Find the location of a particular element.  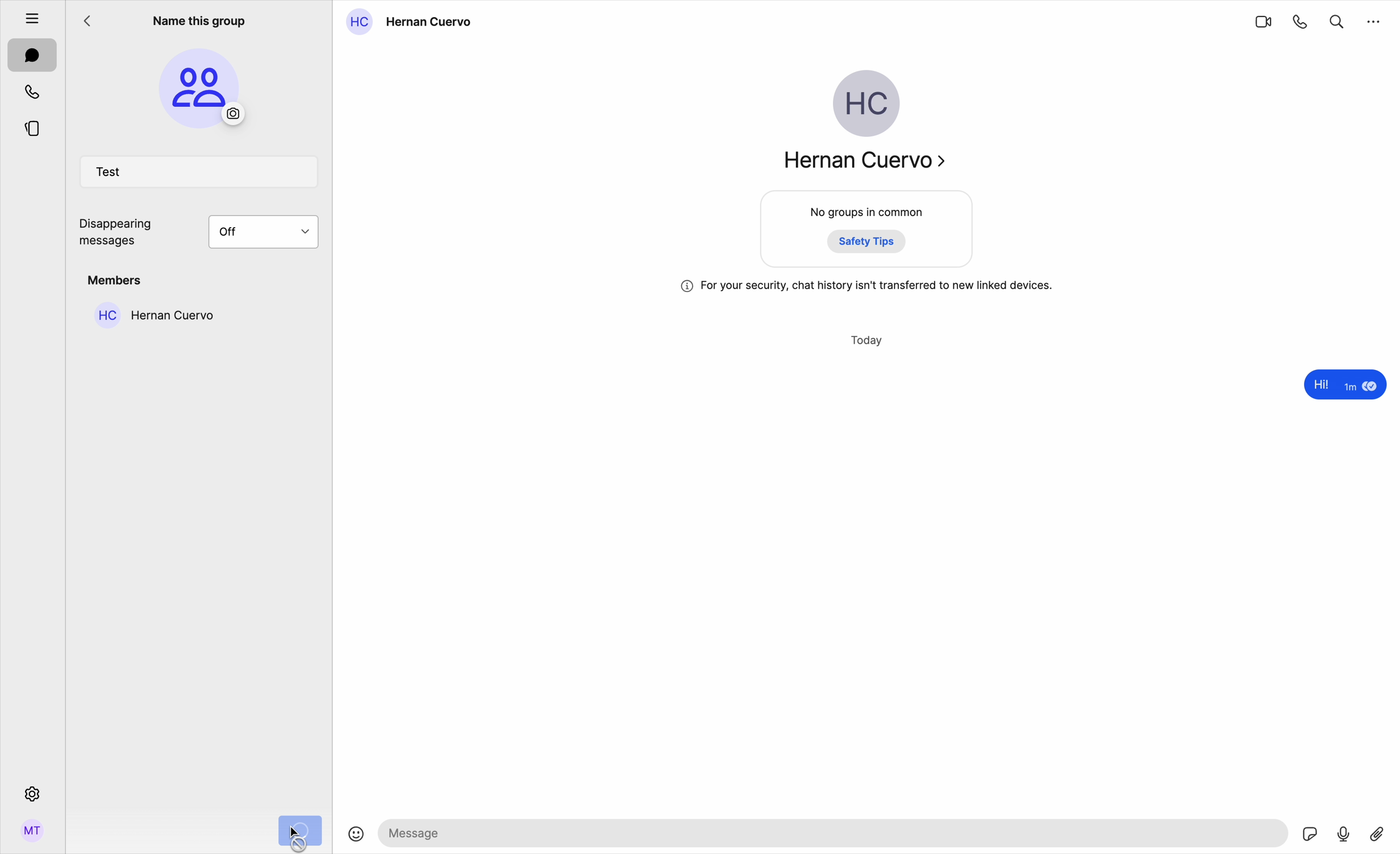

create button loading is located at coordinates (298, 830).